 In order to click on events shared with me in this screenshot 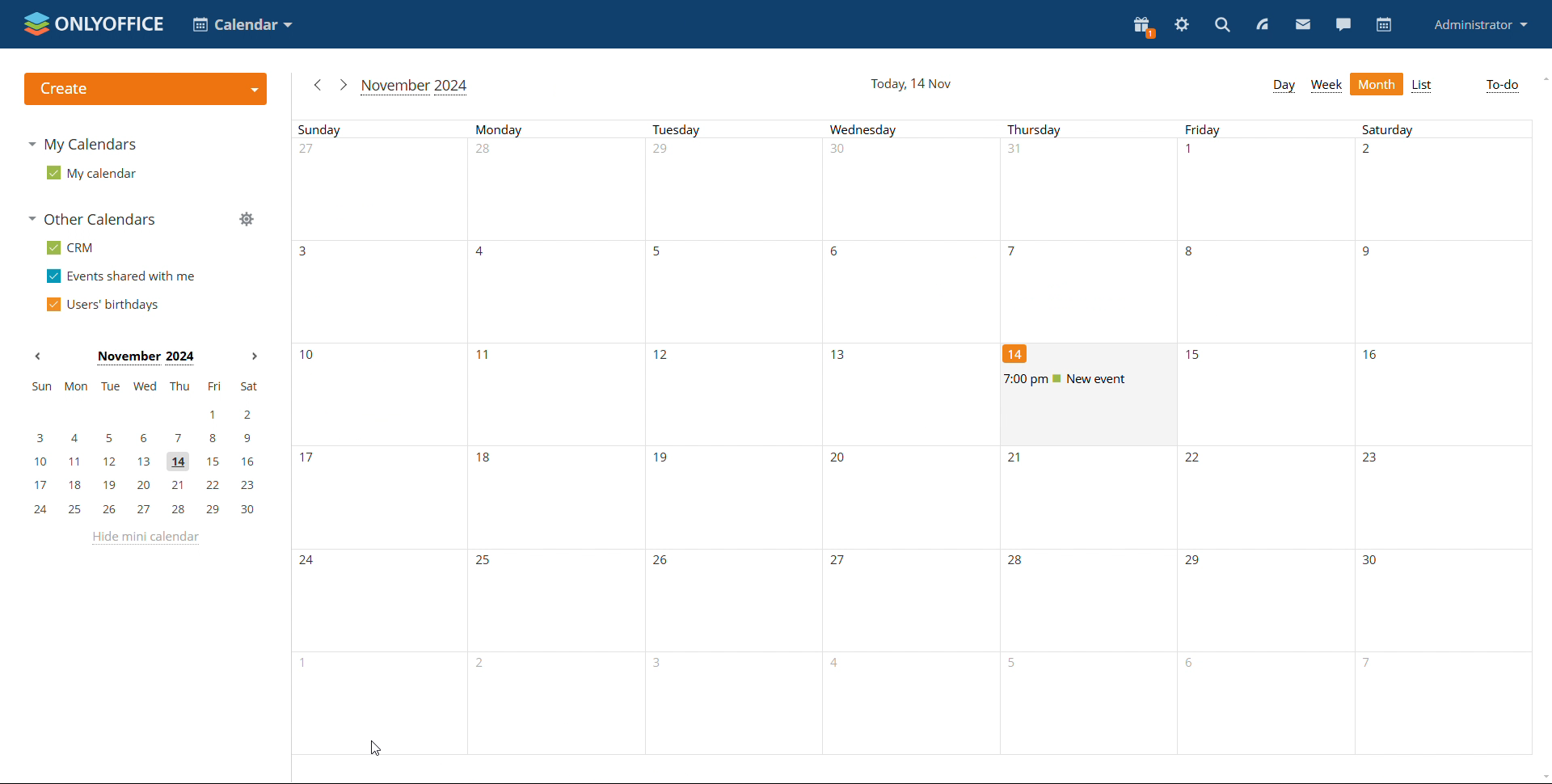, I will do `click(120, 276)`.